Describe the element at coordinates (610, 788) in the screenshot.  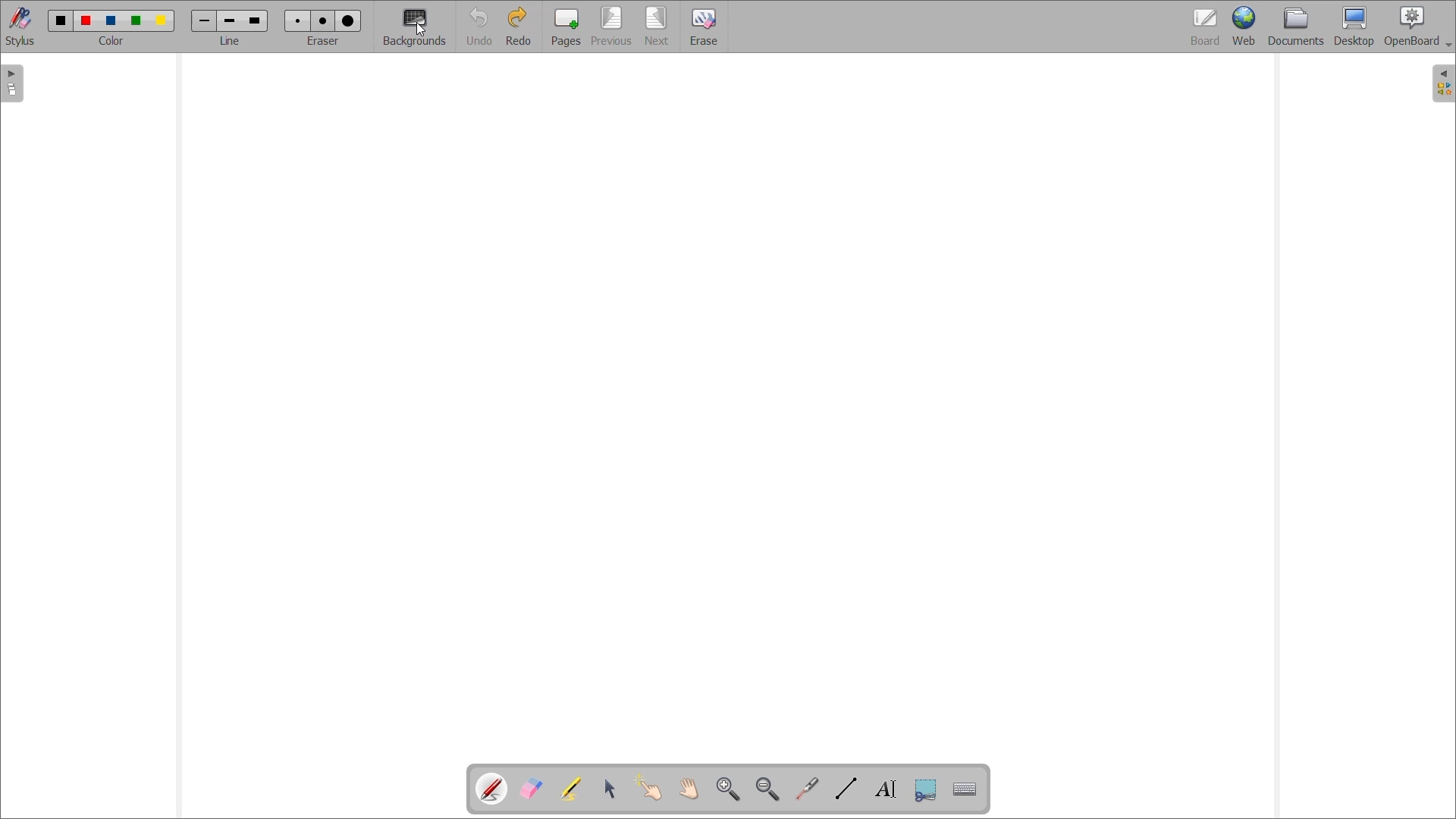
I see `Select and modify objects` at that location.